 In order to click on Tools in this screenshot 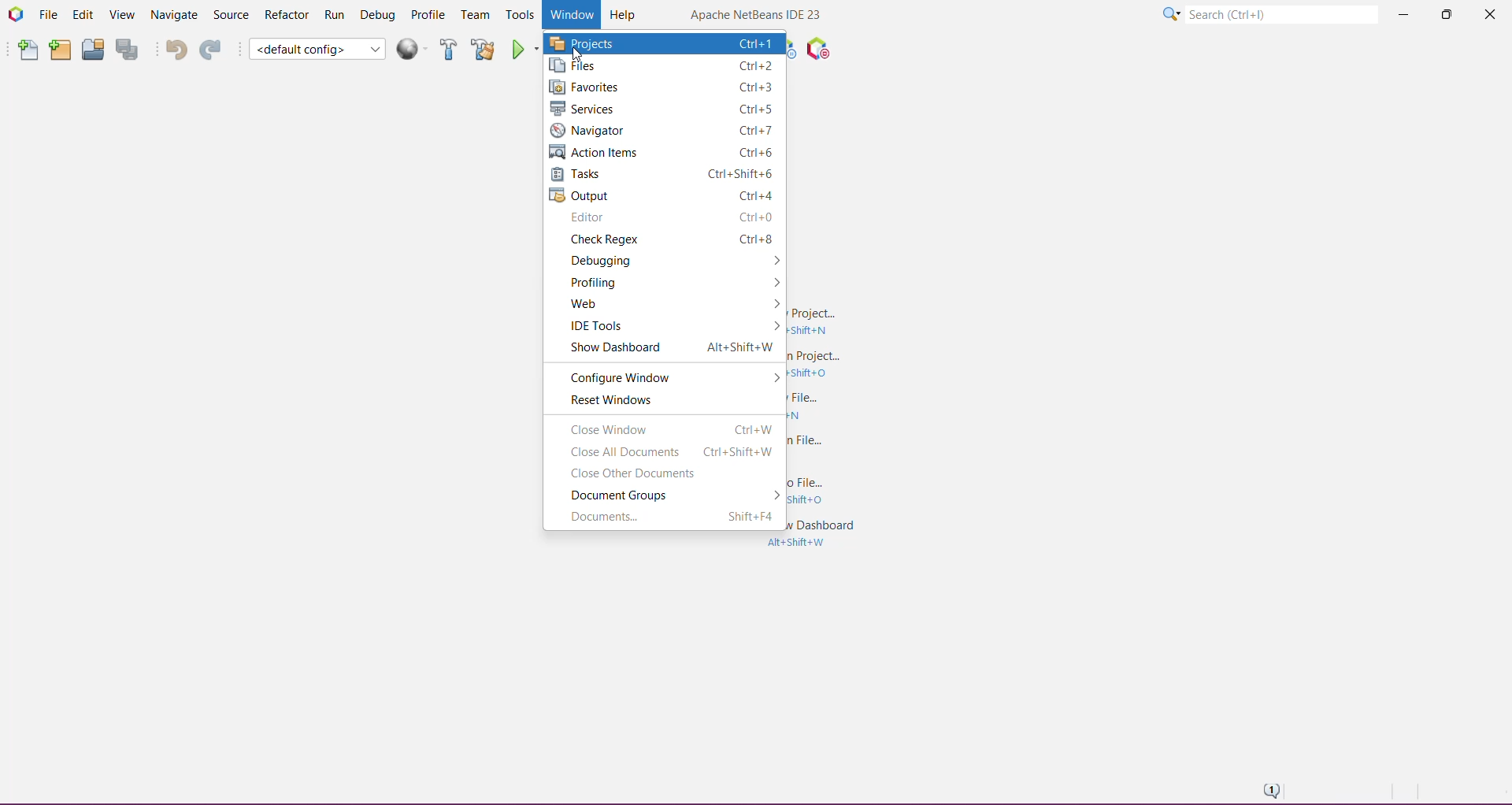, I will do `click(519, 16)`.